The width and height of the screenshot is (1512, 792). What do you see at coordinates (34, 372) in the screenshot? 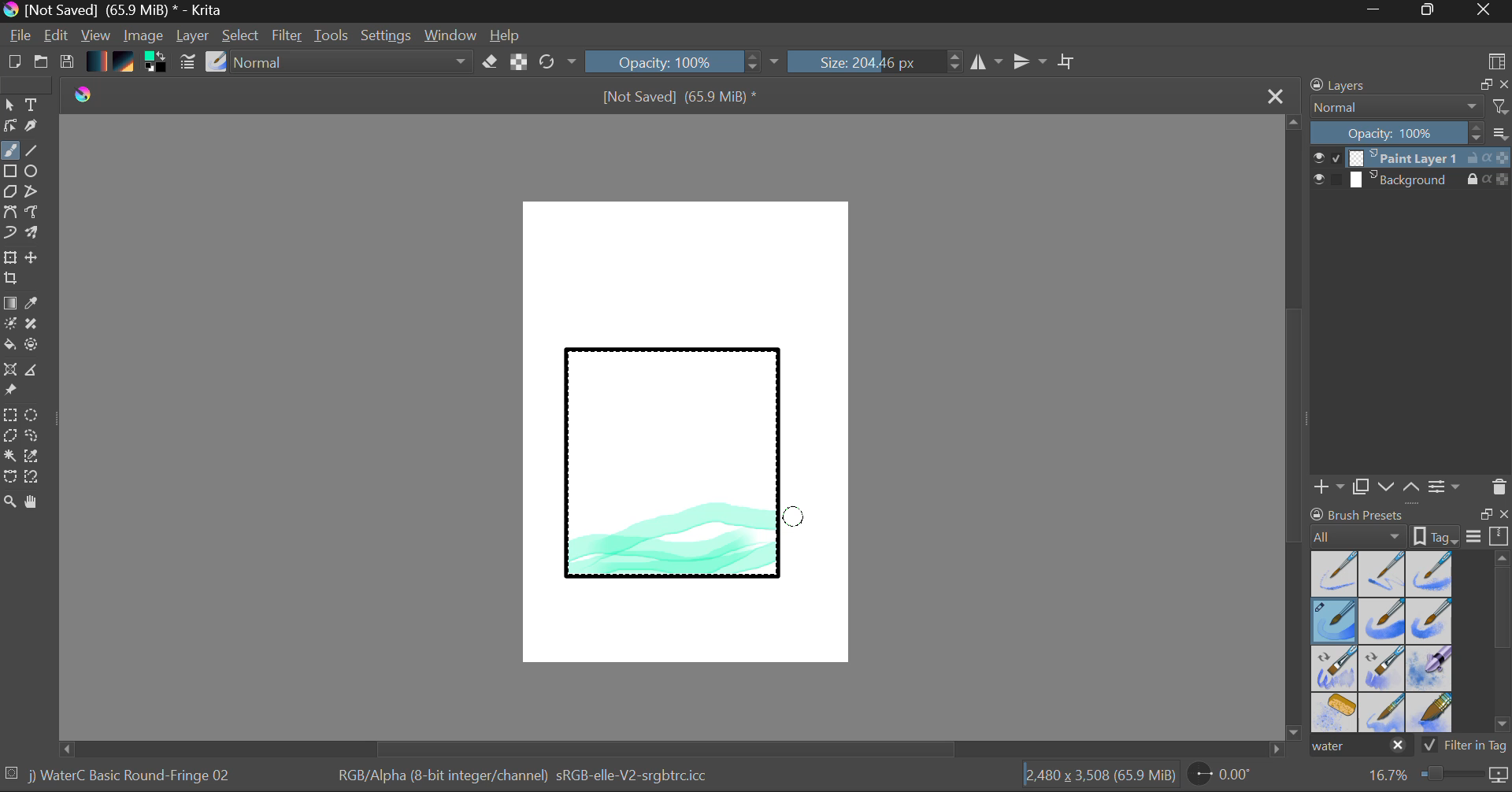
I see `Measurements` at bounding box center [34, 372].